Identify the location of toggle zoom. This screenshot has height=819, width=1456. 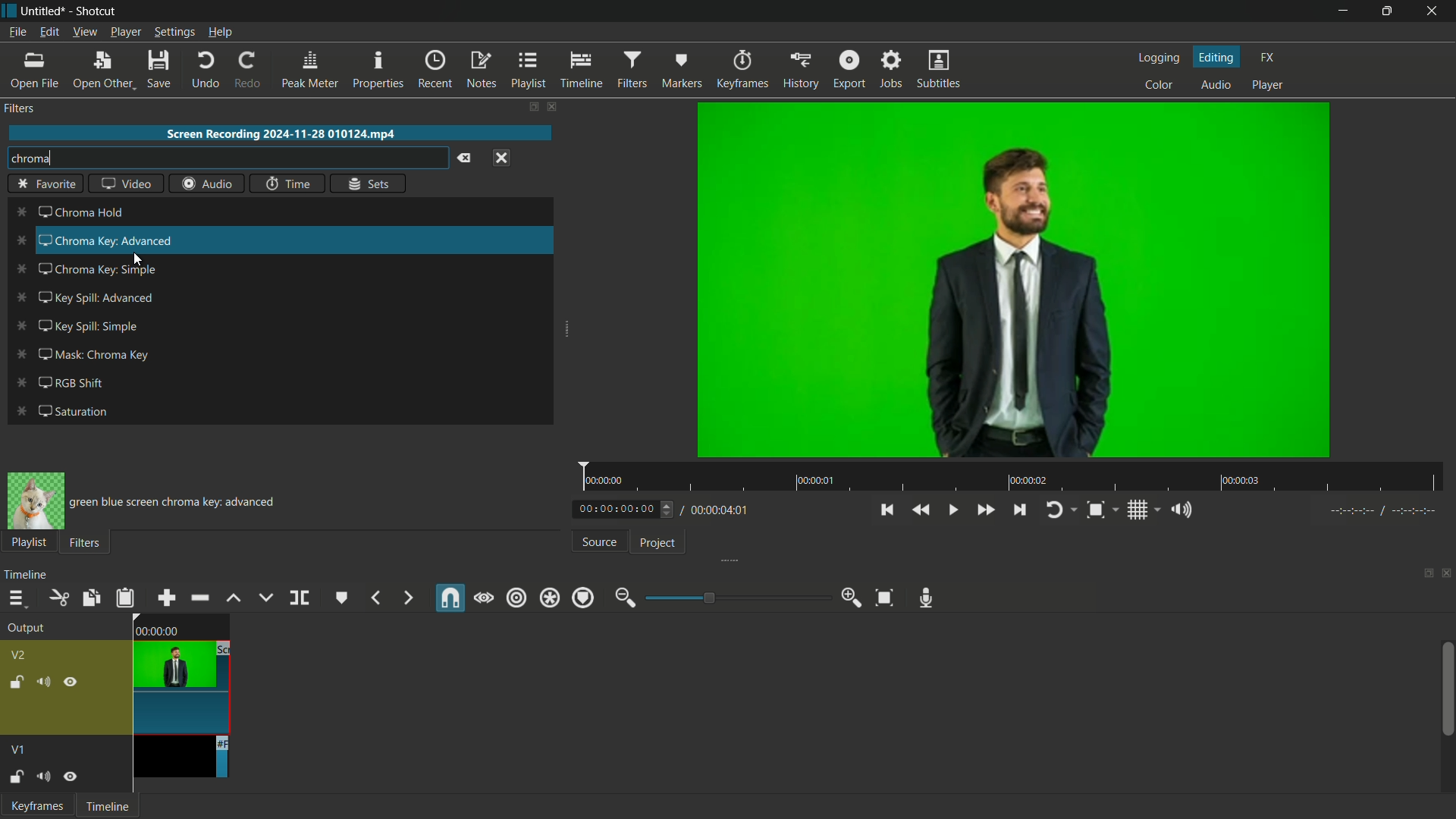
(1095, 510).